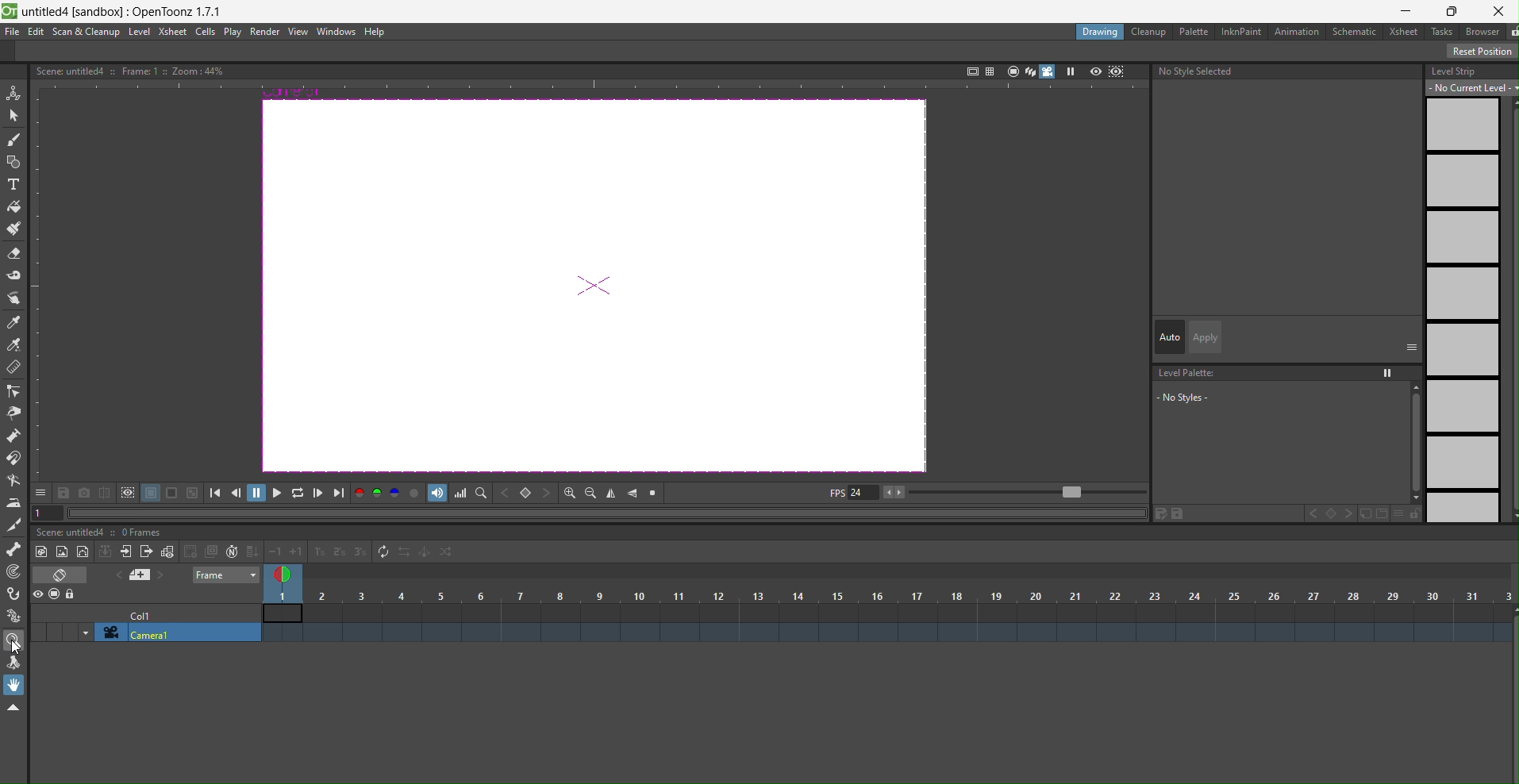  I want to click on icon, so click(1107, 71).